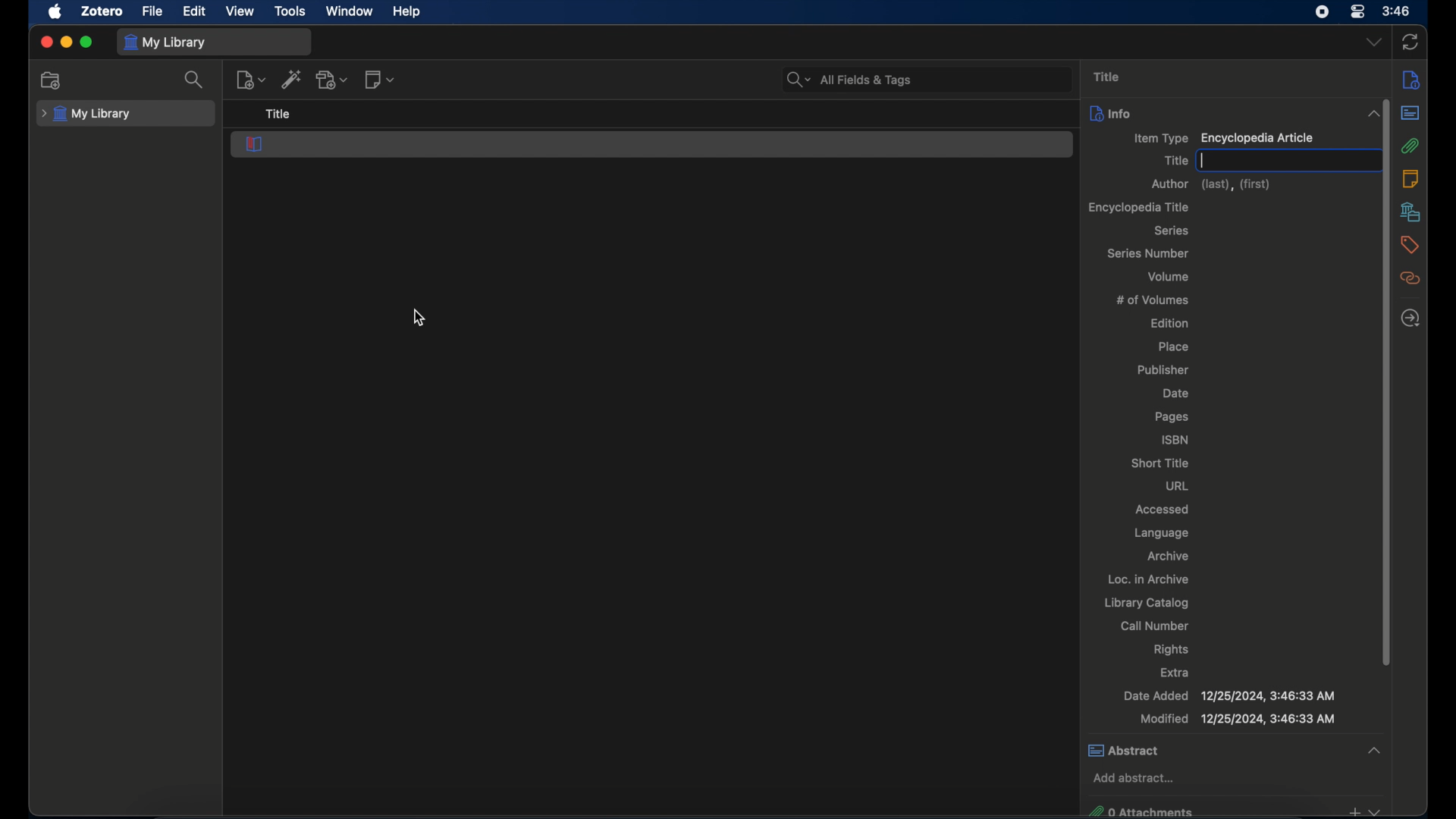  What do you see at coordinates (1410, 278) in the screenshot?
I see `related` at bounding box center [1410, 278].